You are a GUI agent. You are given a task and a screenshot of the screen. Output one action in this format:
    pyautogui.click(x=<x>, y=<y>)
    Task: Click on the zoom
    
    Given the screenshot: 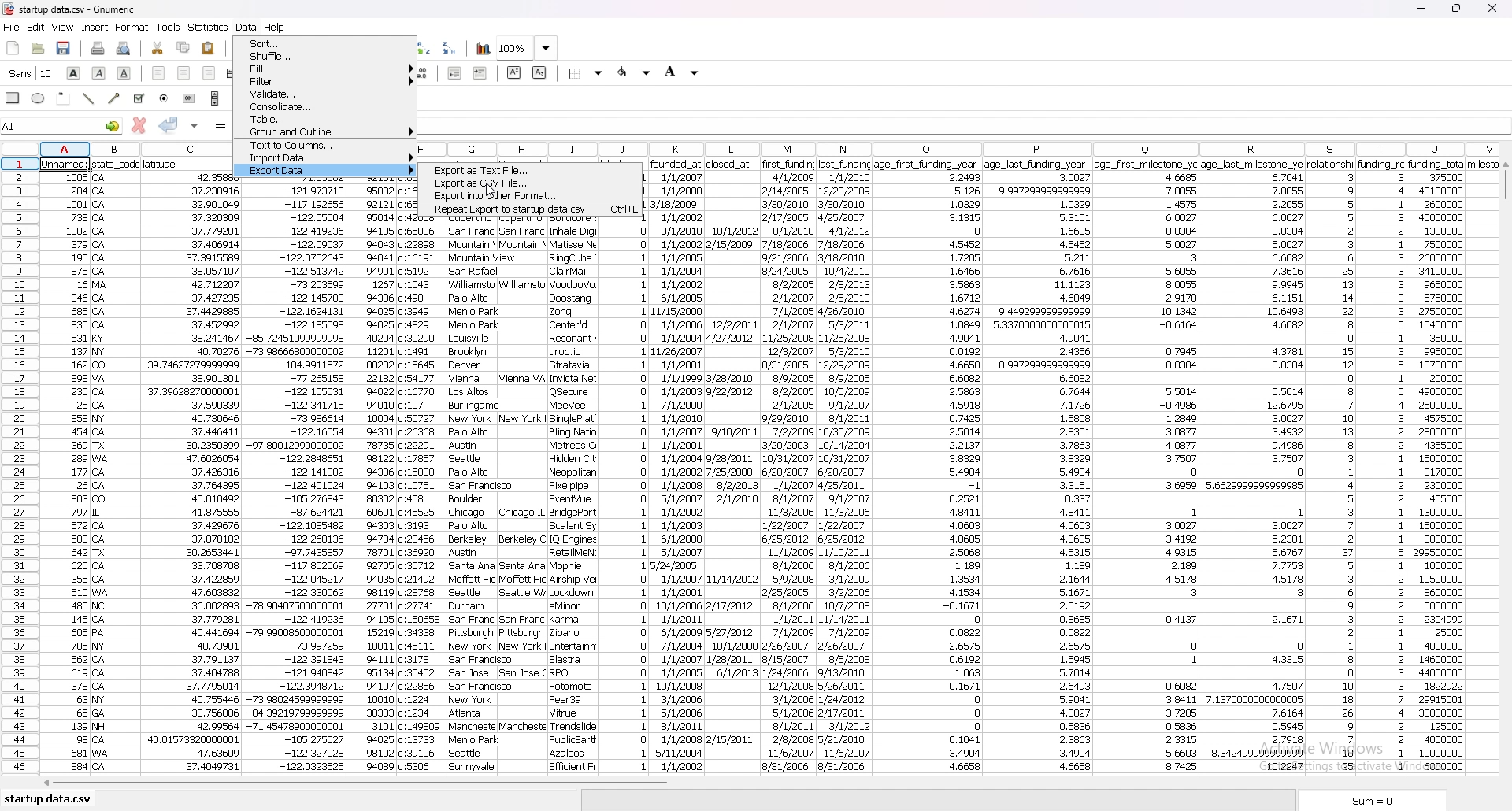 What is the action you would take?
    pyautogui.click(x=528, y=49)
    